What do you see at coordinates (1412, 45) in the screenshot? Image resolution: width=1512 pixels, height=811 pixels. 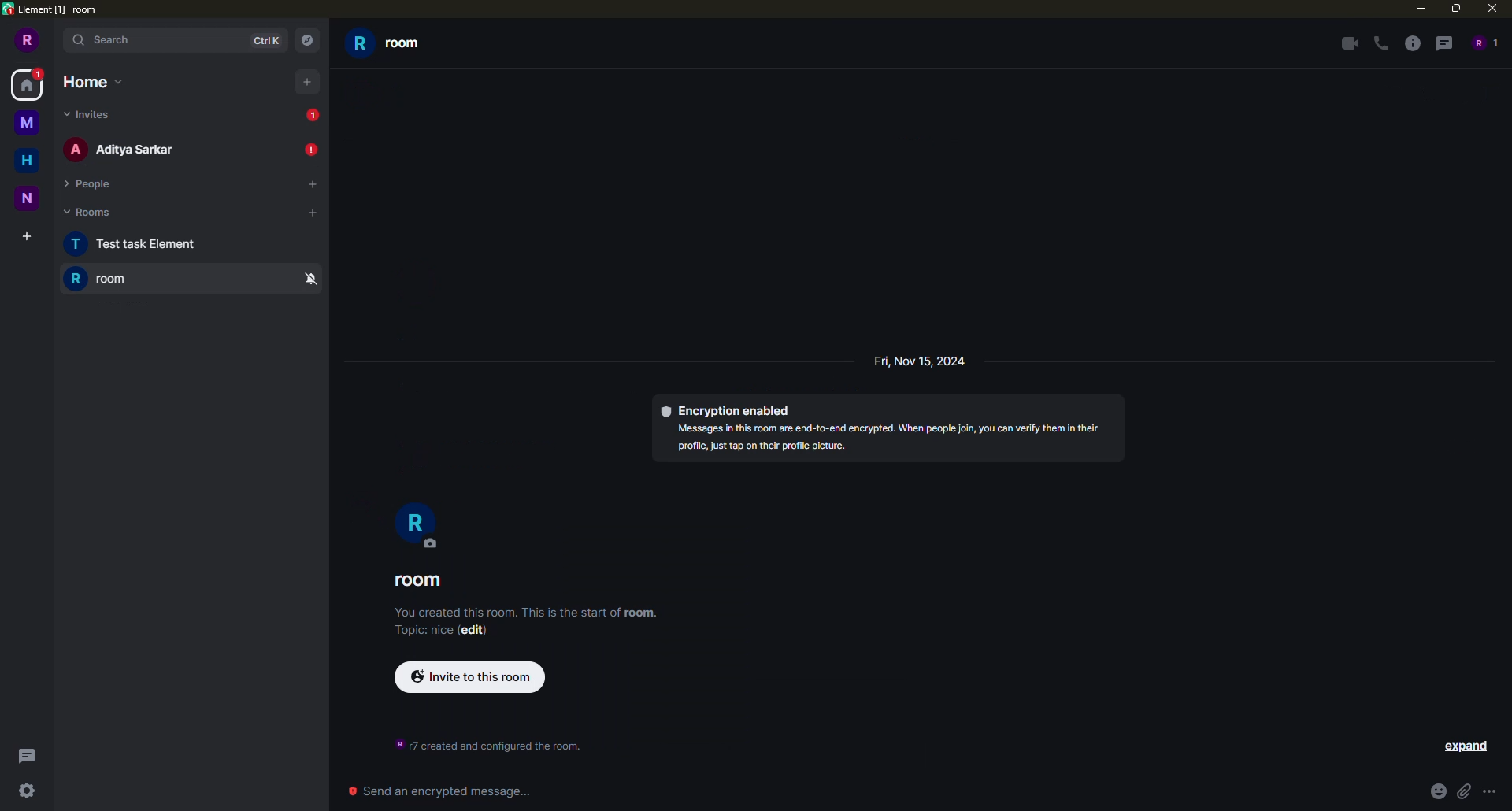 I see `information` at bounding box center [1412, 45].